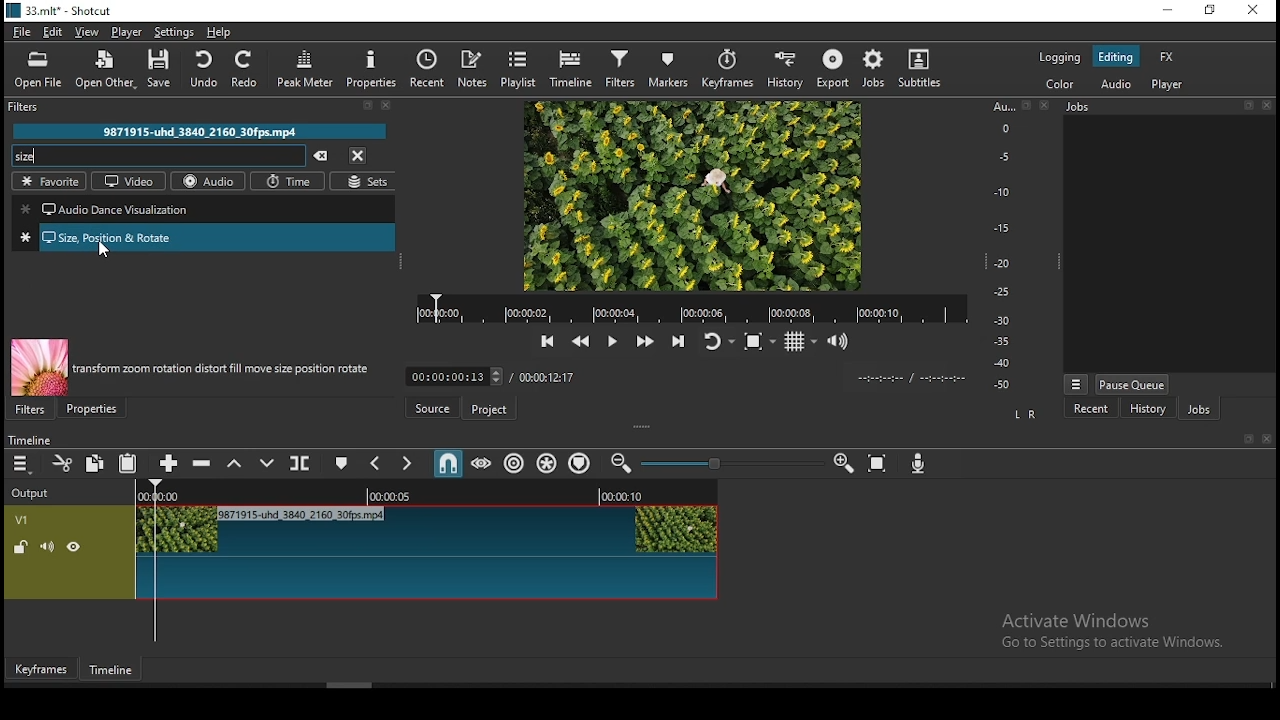 The height and width of the screenshot is (720, 1280). I want to click on ripple markers, so click(546, 462).